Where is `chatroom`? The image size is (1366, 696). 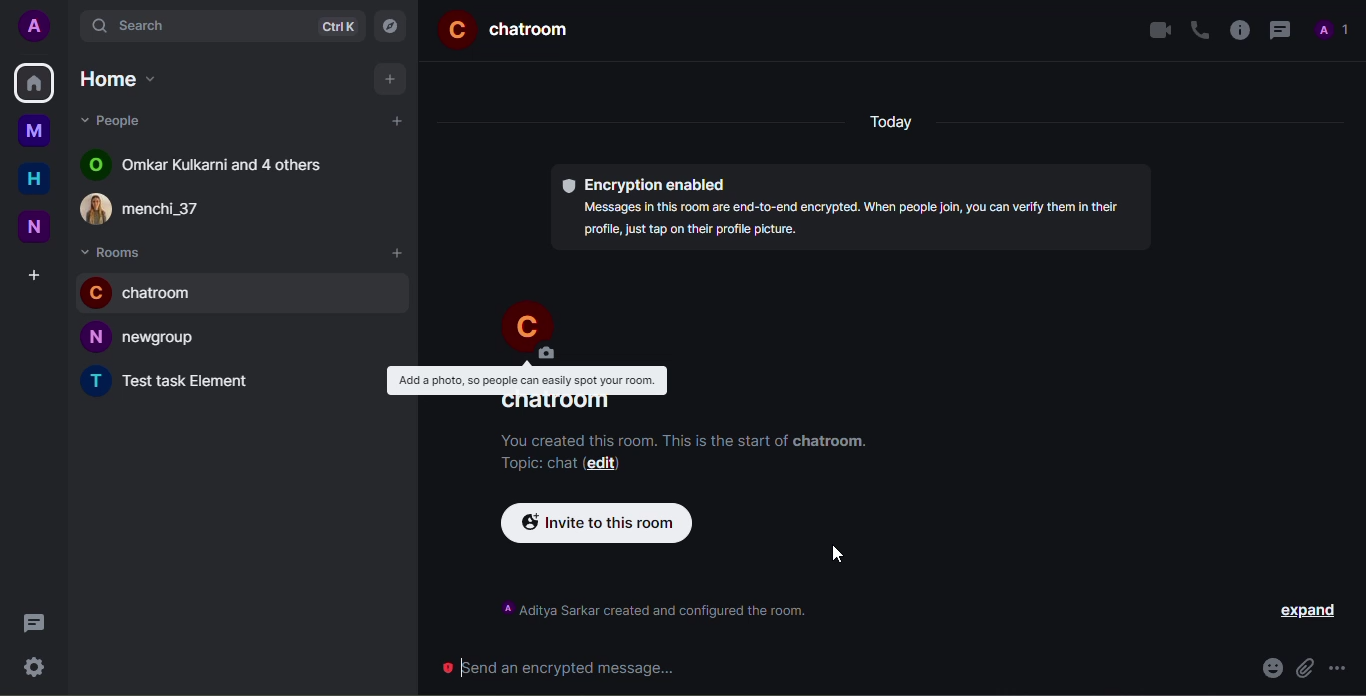 chatroom is located at coordinates (514, 27).